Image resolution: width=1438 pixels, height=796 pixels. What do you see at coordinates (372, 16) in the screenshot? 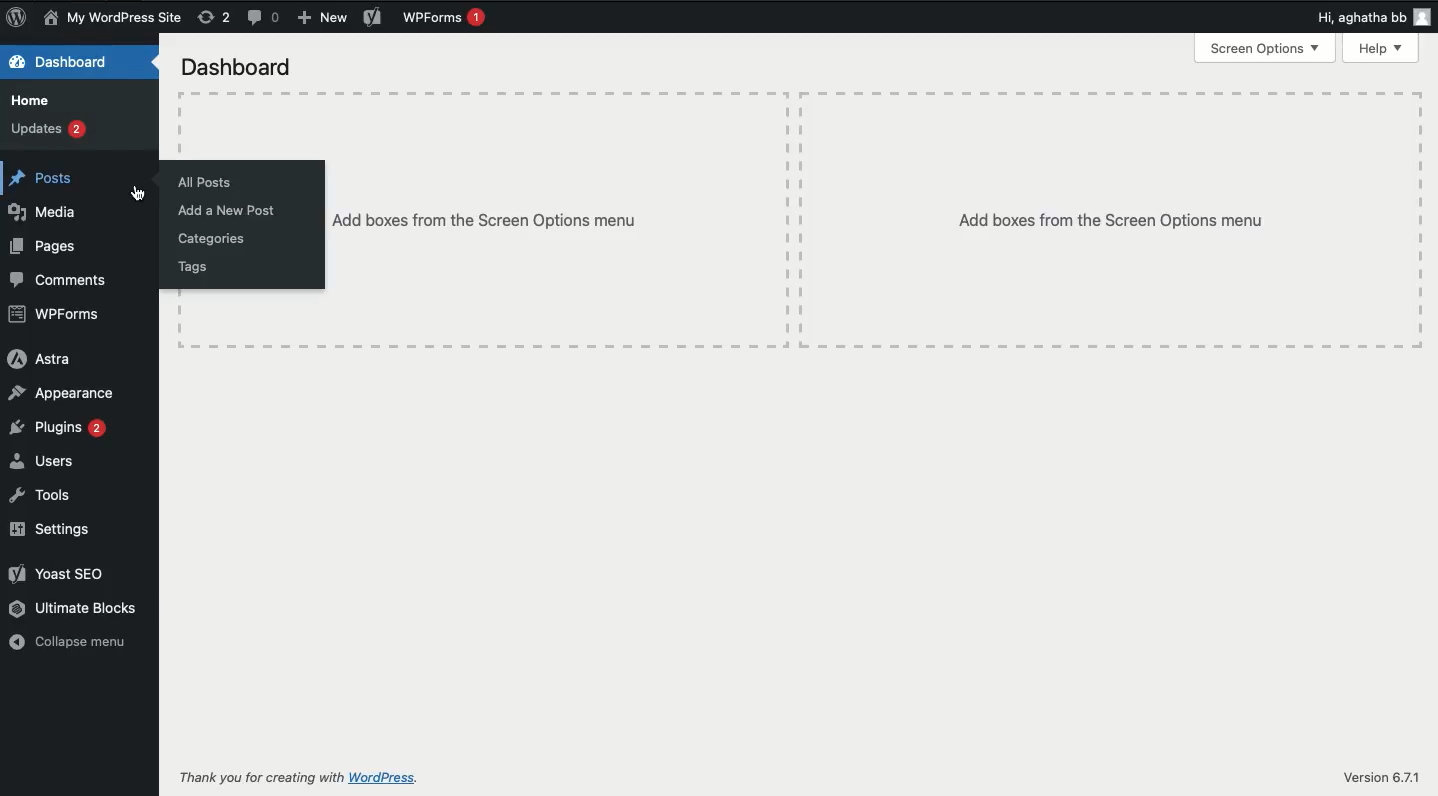
I see `Yoast` at bounding box center [372, 16].